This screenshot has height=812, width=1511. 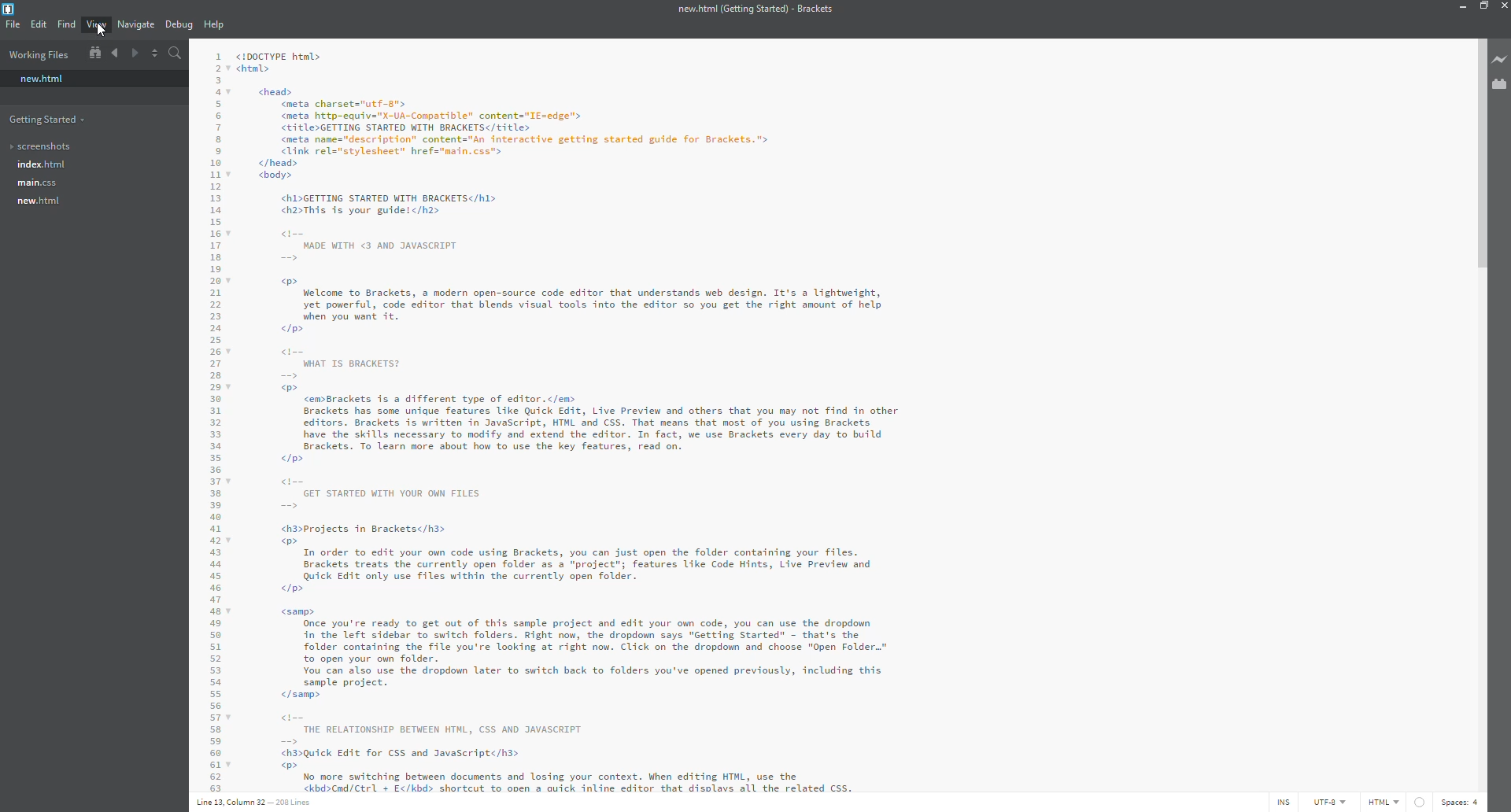 I want to click on index, so click(x=39, y=164).